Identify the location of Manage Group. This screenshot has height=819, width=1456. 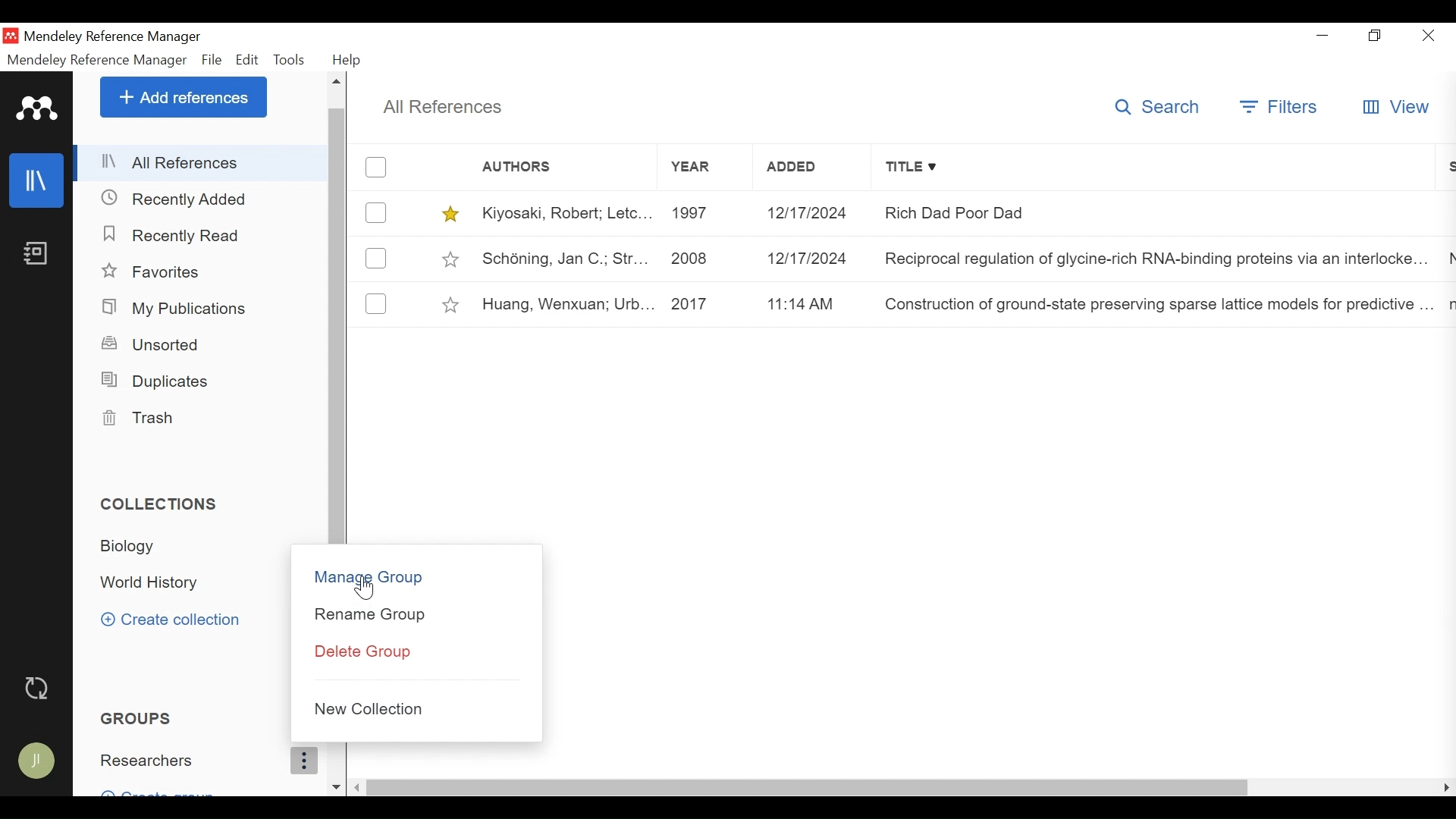
(417, 576).